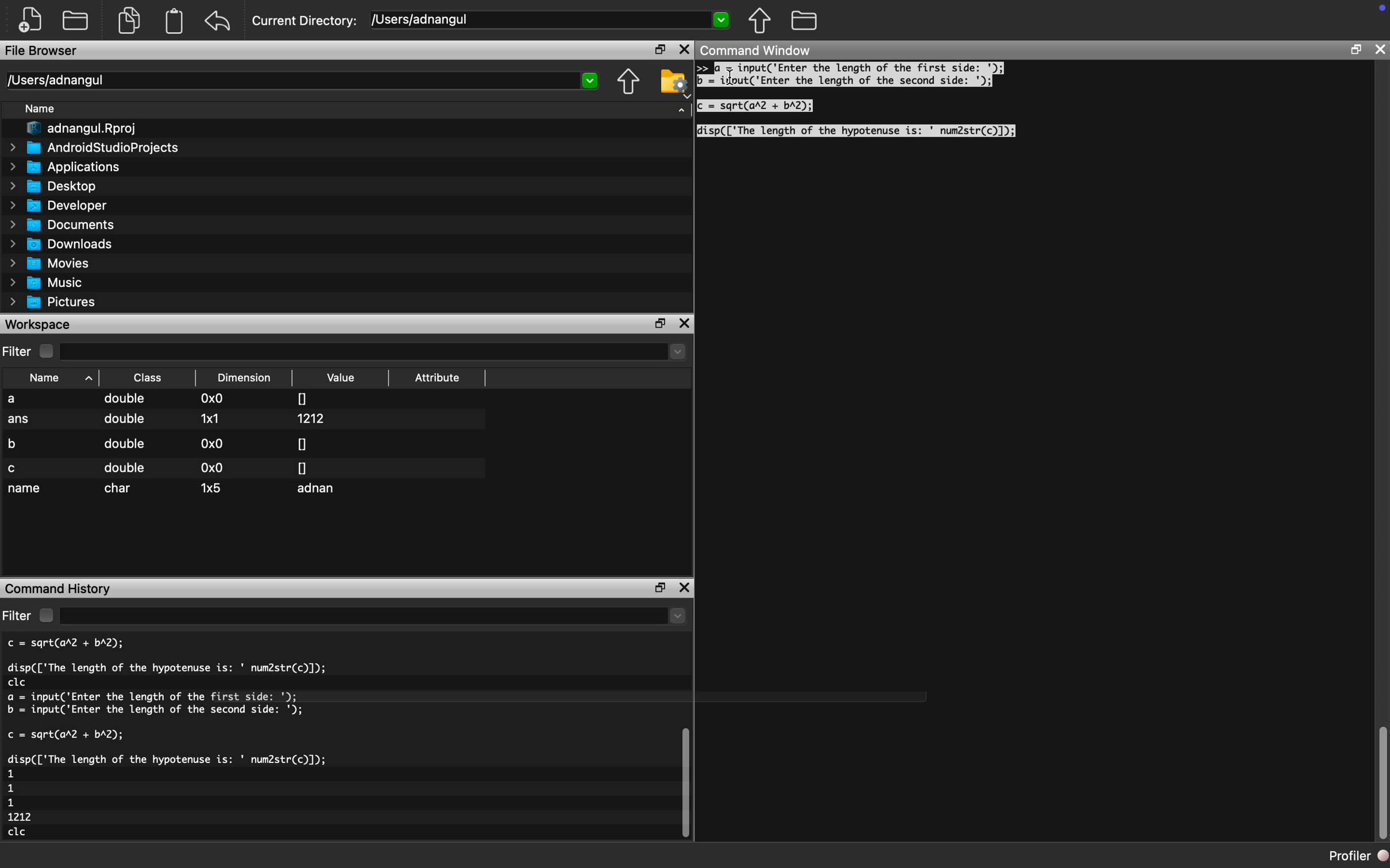 This screenshot has width=1390, height=868. What do you see at coordinates (123, 444) in the screenshot?
I see `double` at bounding box center [123, 444].